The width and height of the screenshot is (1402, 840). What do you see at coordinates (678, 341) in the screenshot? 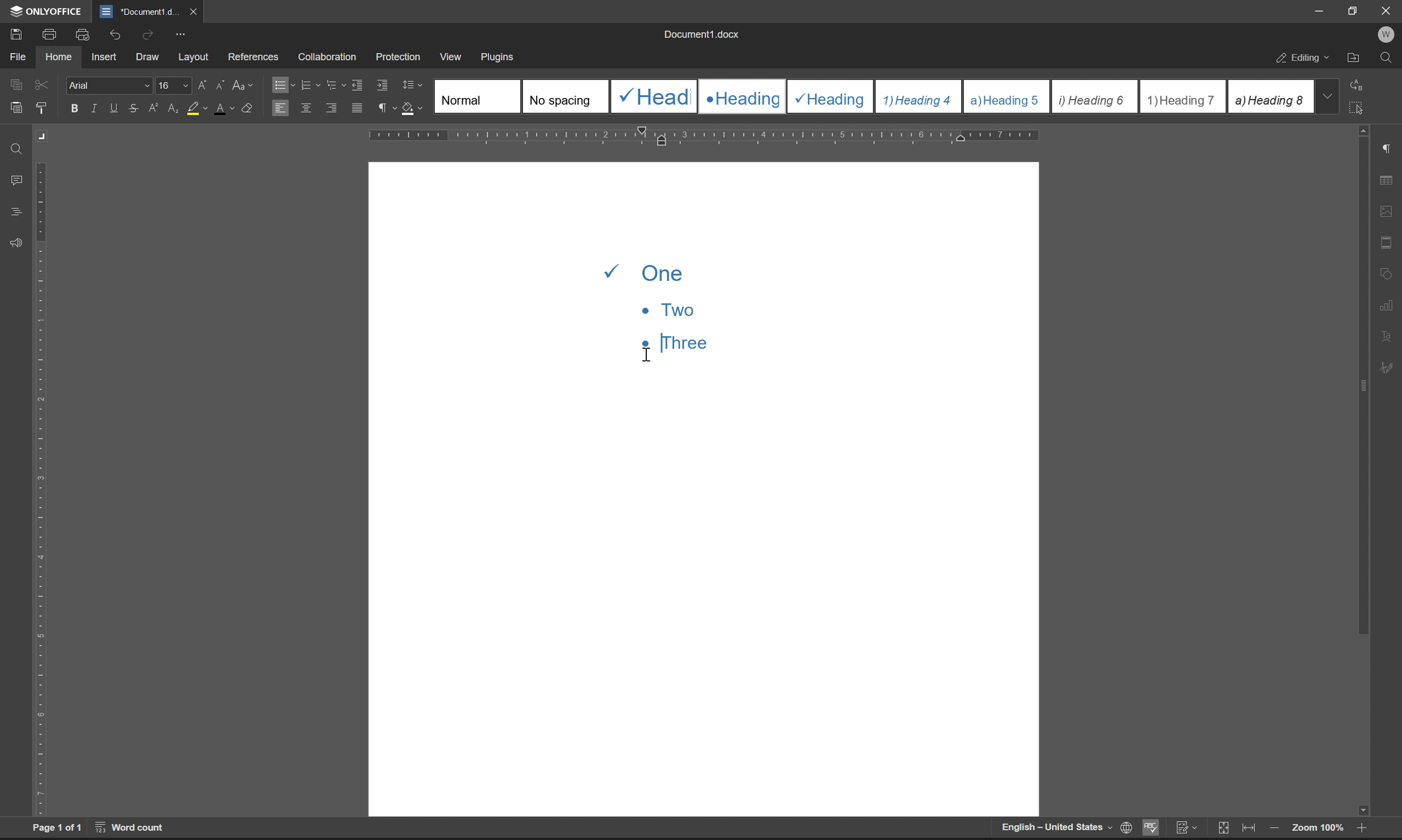
I see `Three` at bounding box center [678, 341].